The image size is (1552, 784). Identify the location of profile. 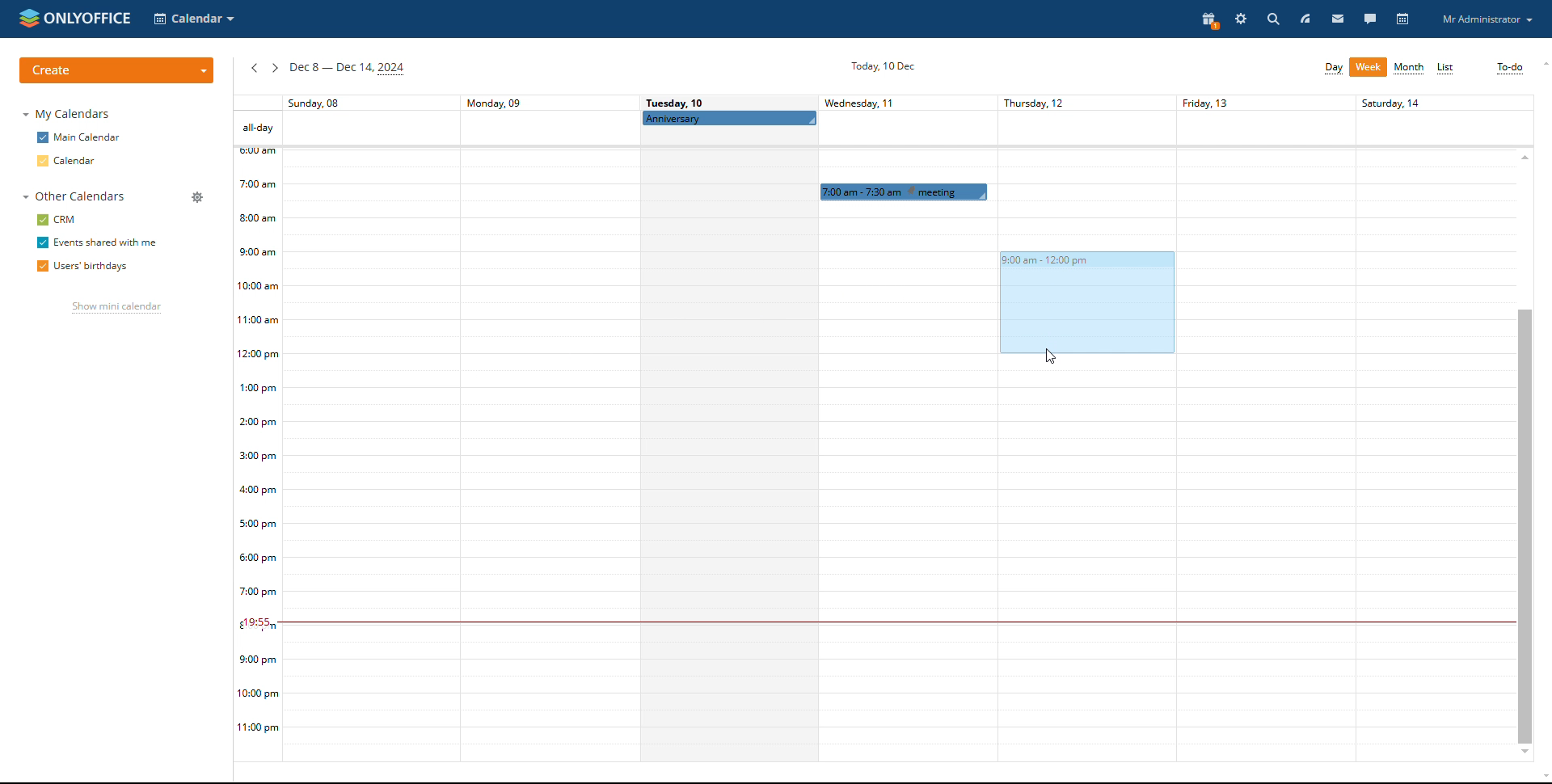
(1487, 19).